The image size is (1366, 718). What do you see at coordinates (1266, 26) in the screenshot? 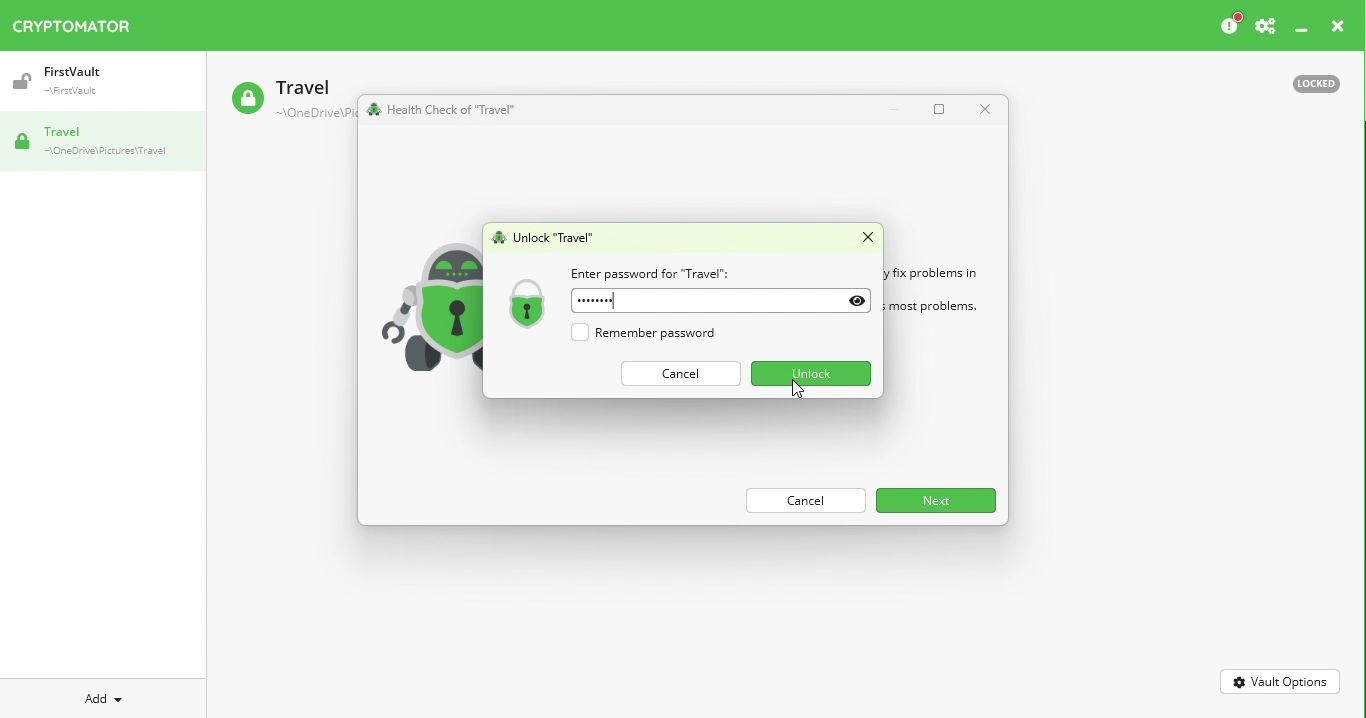
I see `Settings` at bounding box center [1266, 26].